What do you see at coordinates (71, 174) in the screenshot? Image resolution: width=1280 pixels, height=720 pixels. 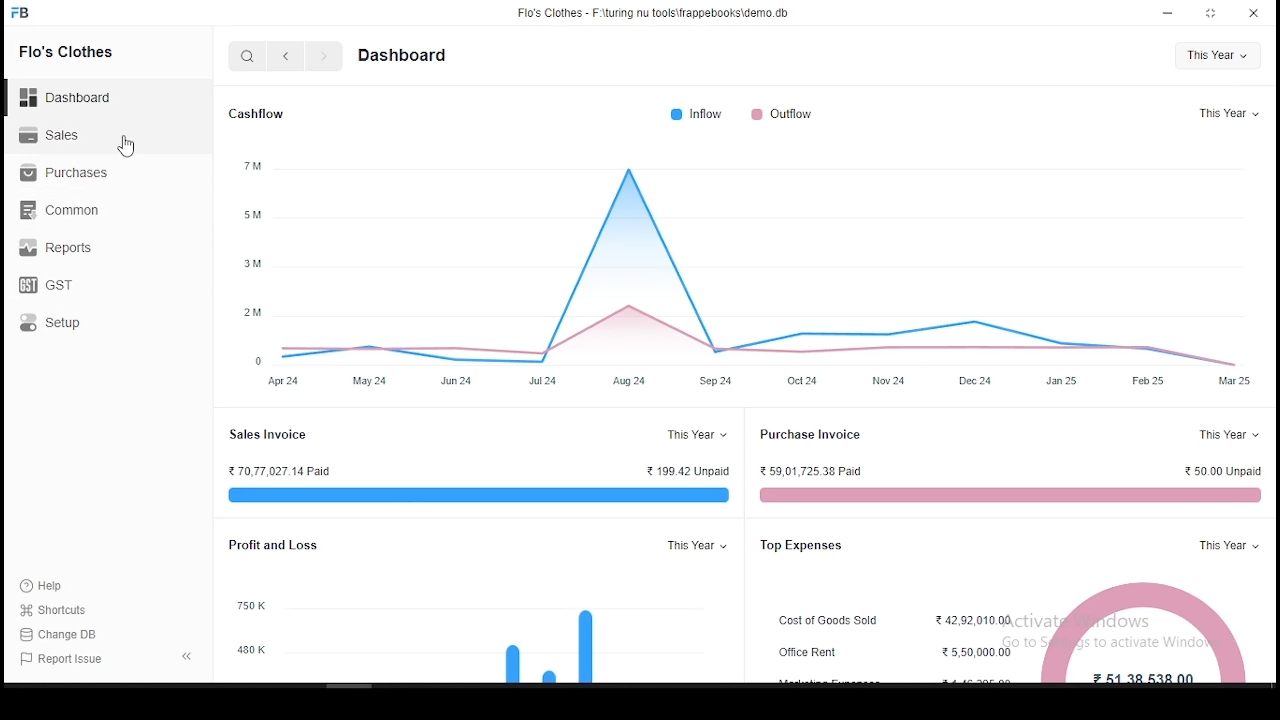 I see `purchases` at bounding box center [71, 174].